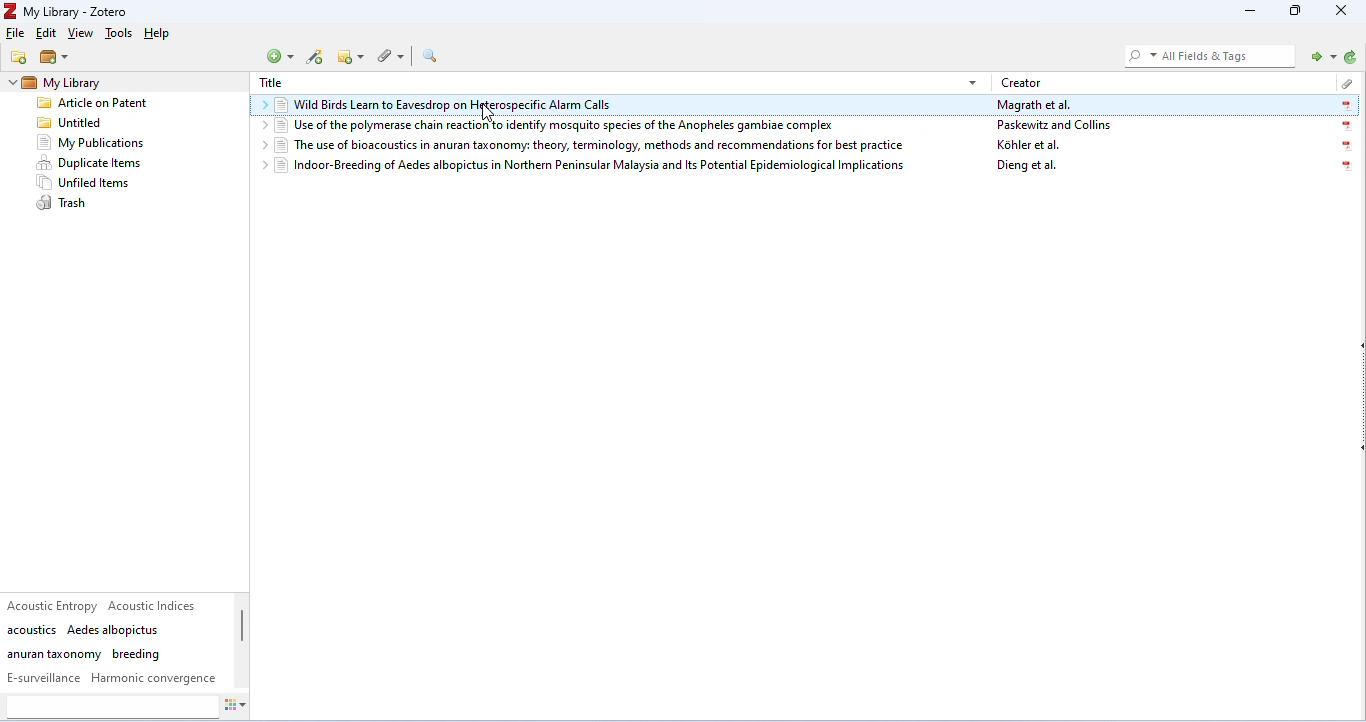  Describe the element at coordinates (262, 143) in the screenshot. I see `drop down` at that location.